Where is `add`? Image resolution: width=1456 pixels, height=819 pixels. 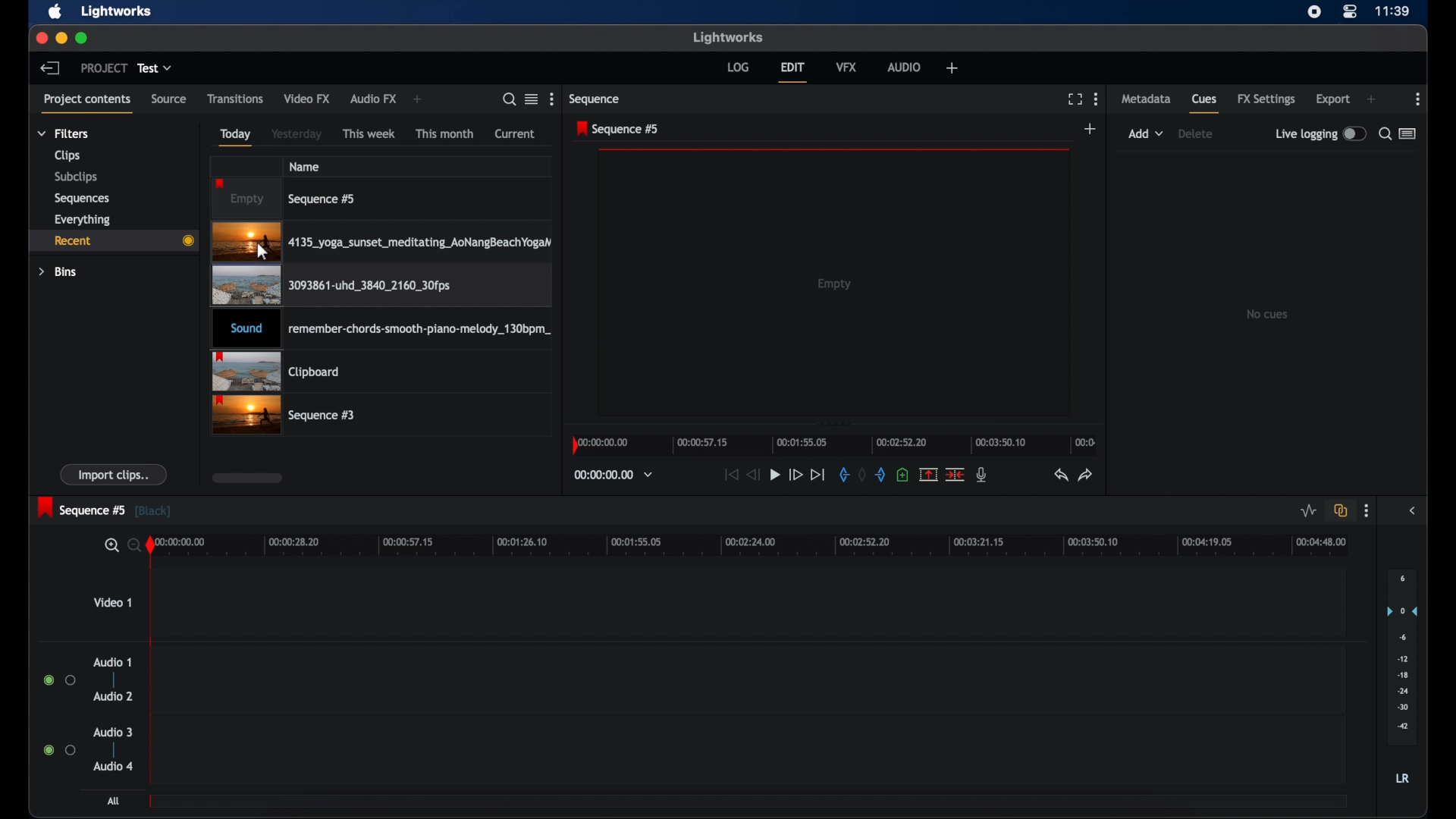
add is located at coordinates (1146, 133).